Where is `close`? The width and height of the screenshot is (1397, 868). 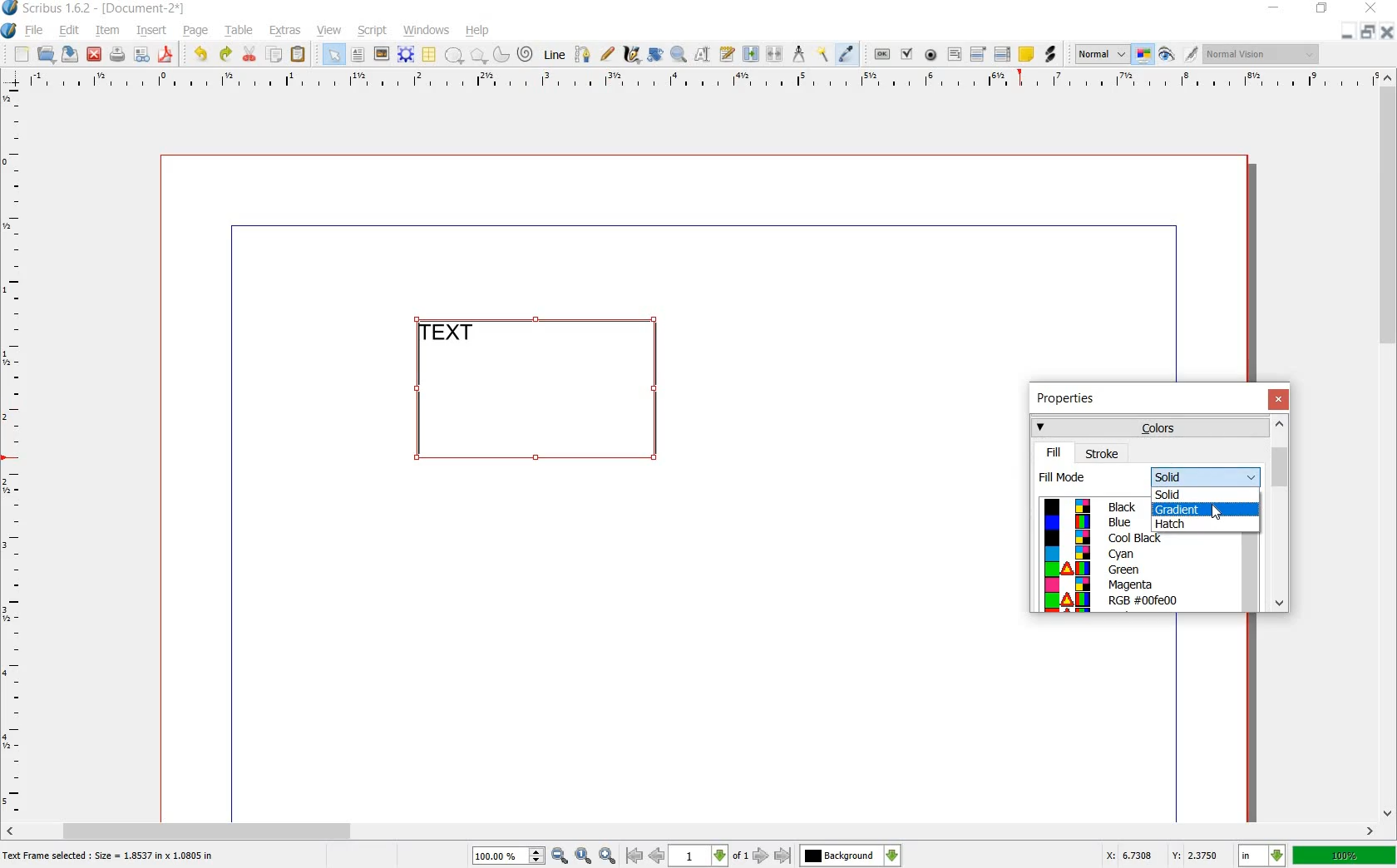 close is located at coordinates (1278, 399).